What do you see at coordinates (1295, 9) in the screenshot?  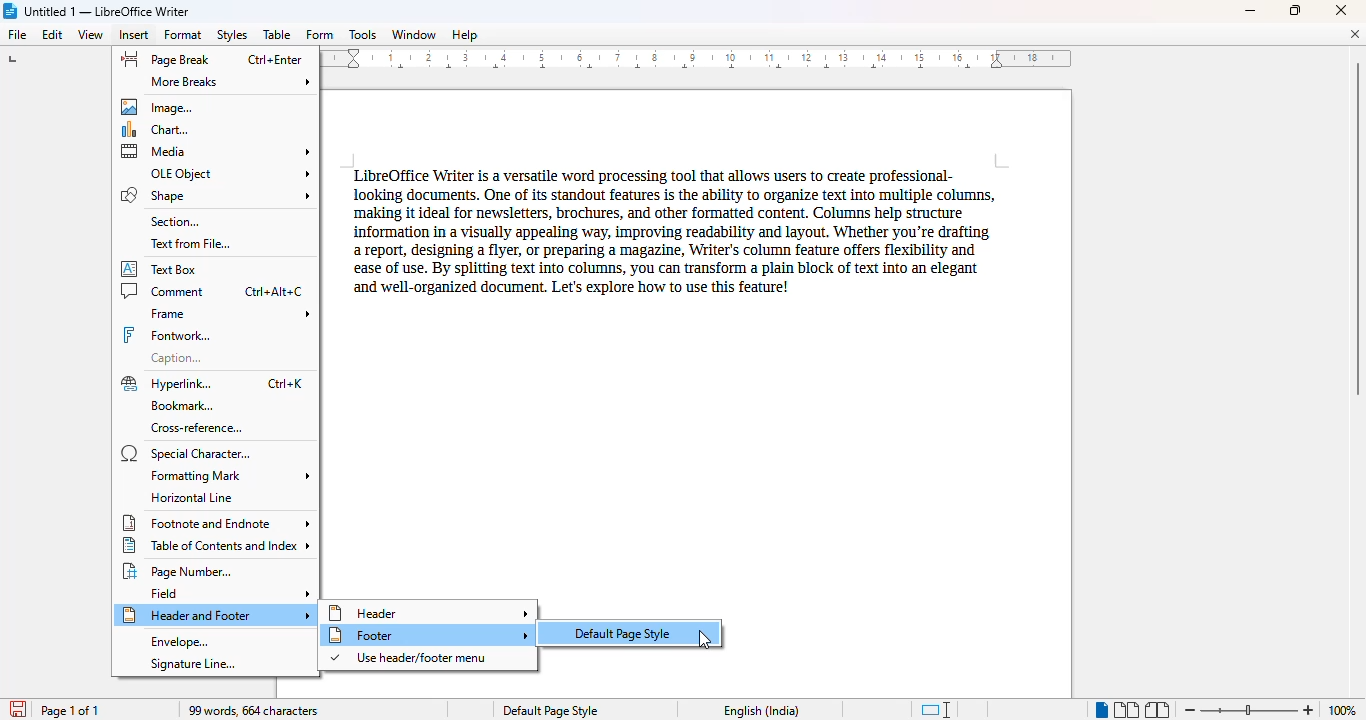 I see `maximize` at bounding box center [1295, 9].